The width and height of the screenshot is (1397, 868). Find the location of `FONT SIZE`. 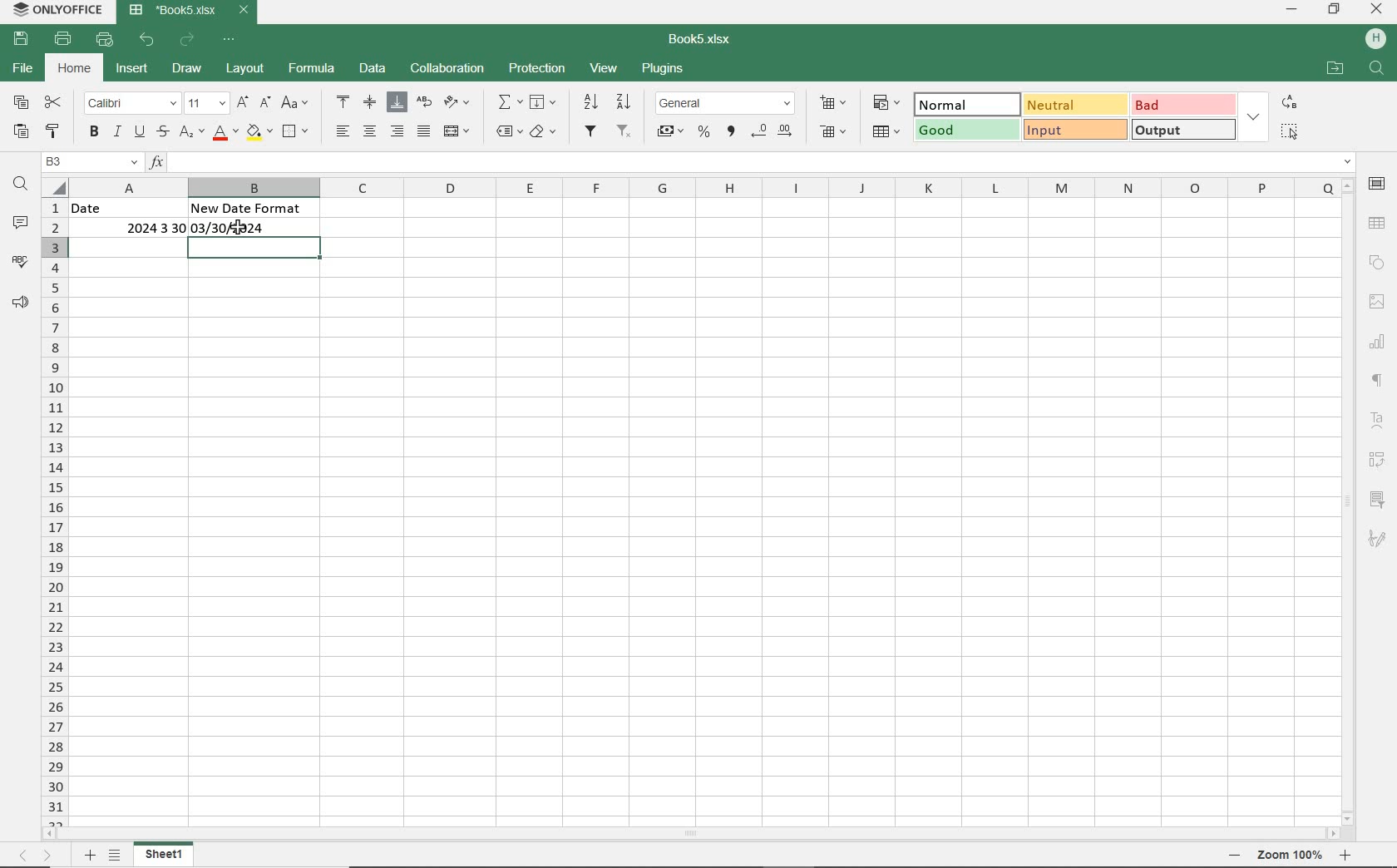

FONT SIZE is located at coordinates (208, 104).